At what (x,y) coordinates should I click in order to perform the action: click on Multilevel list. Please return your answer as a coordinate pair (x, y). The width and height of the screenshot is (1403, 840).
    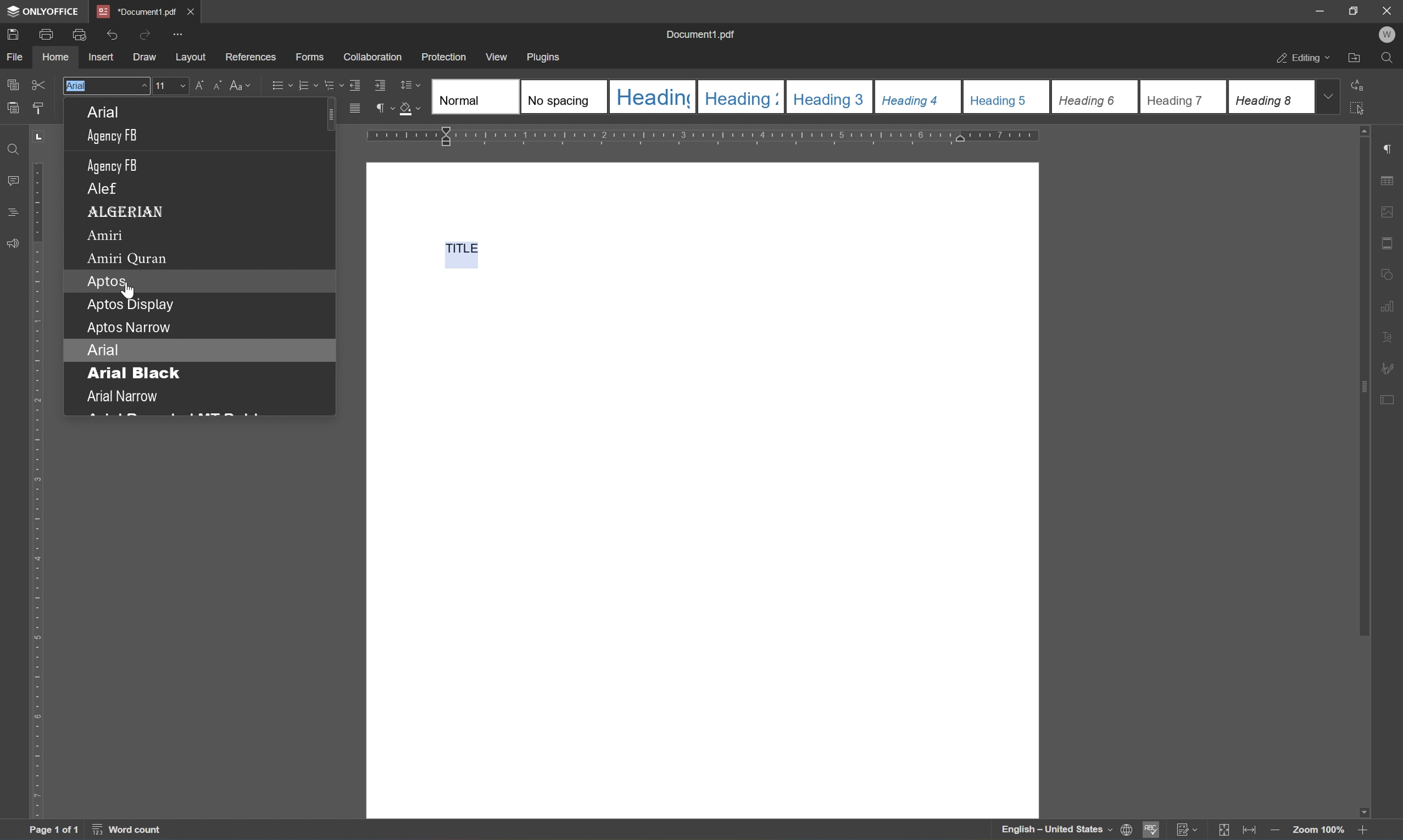
    Looking at the image, I should click on (332, 84).